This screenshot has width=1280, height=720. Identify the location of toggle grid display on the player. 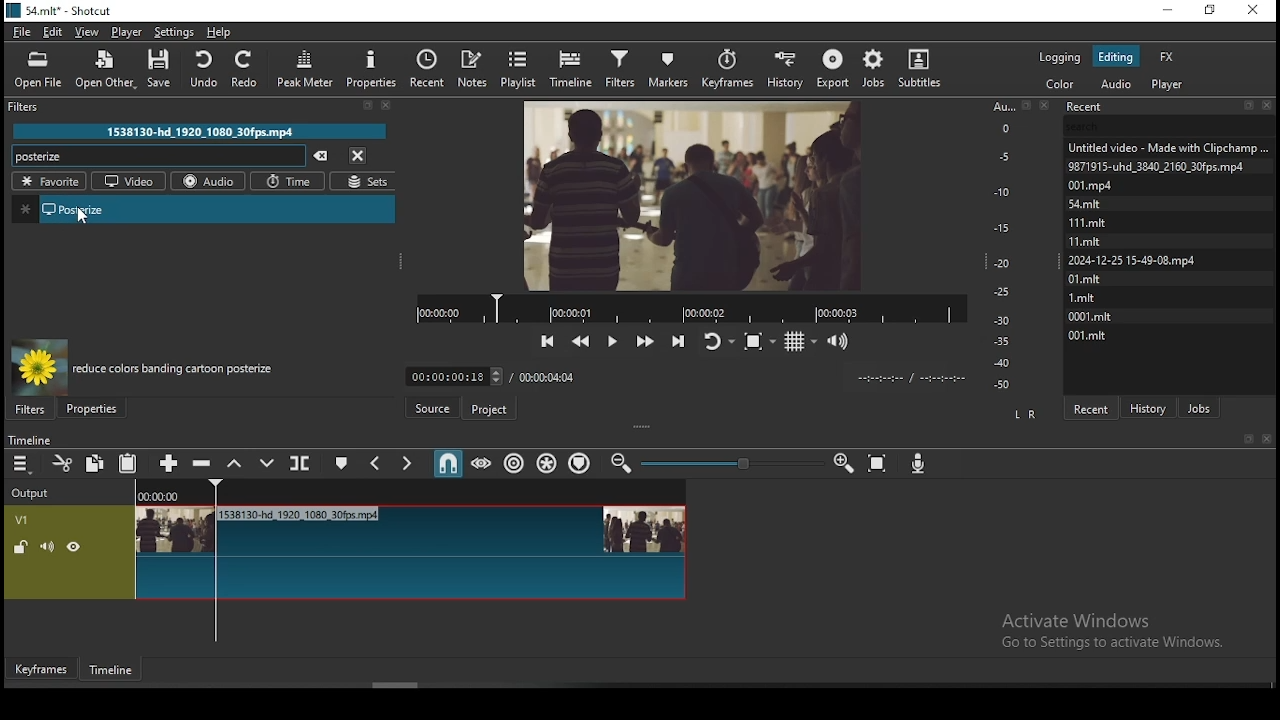
(798, 339).